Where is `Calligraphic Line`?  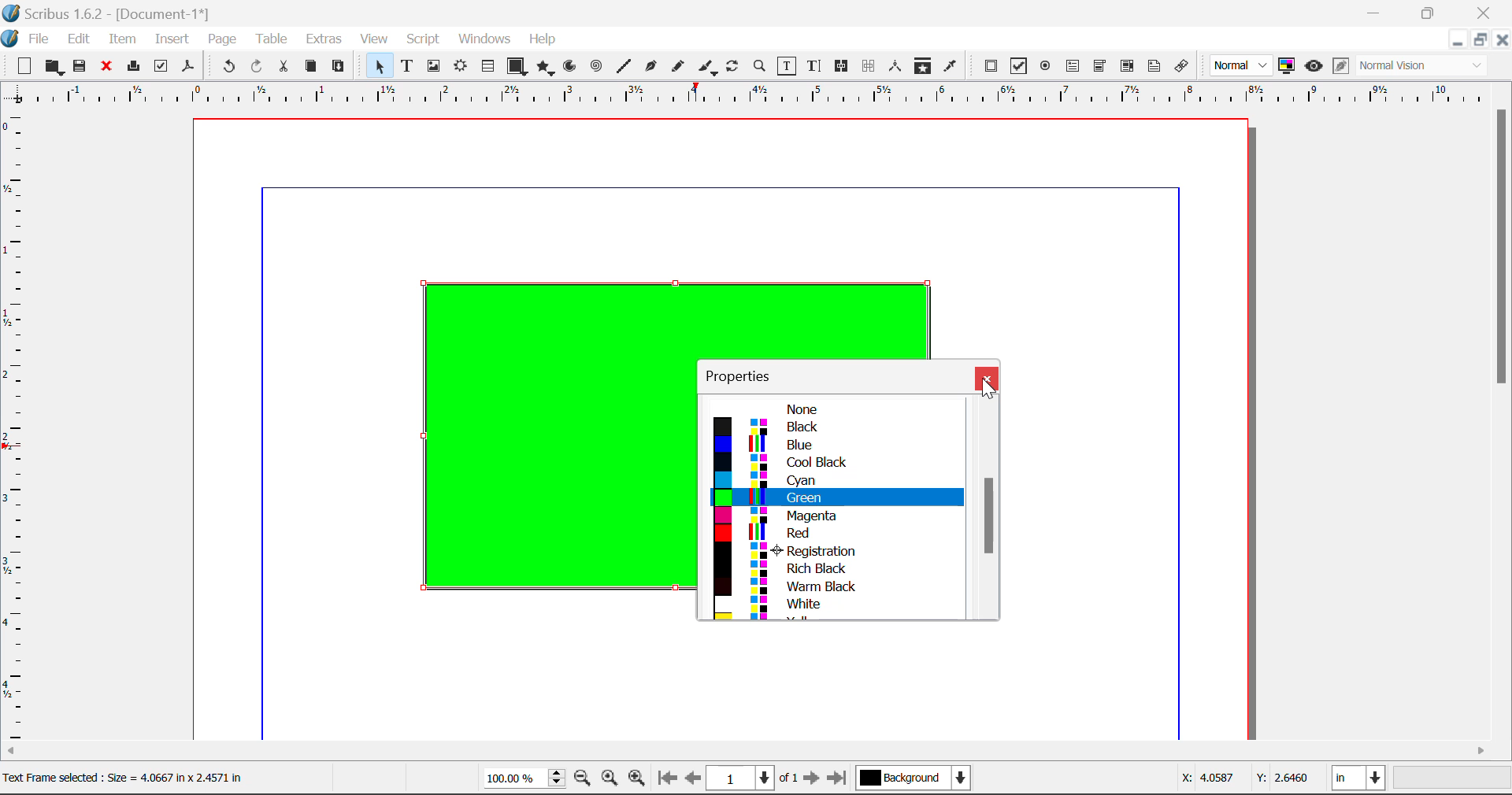
Calligraphic Line is located at coordinates (704, 67).